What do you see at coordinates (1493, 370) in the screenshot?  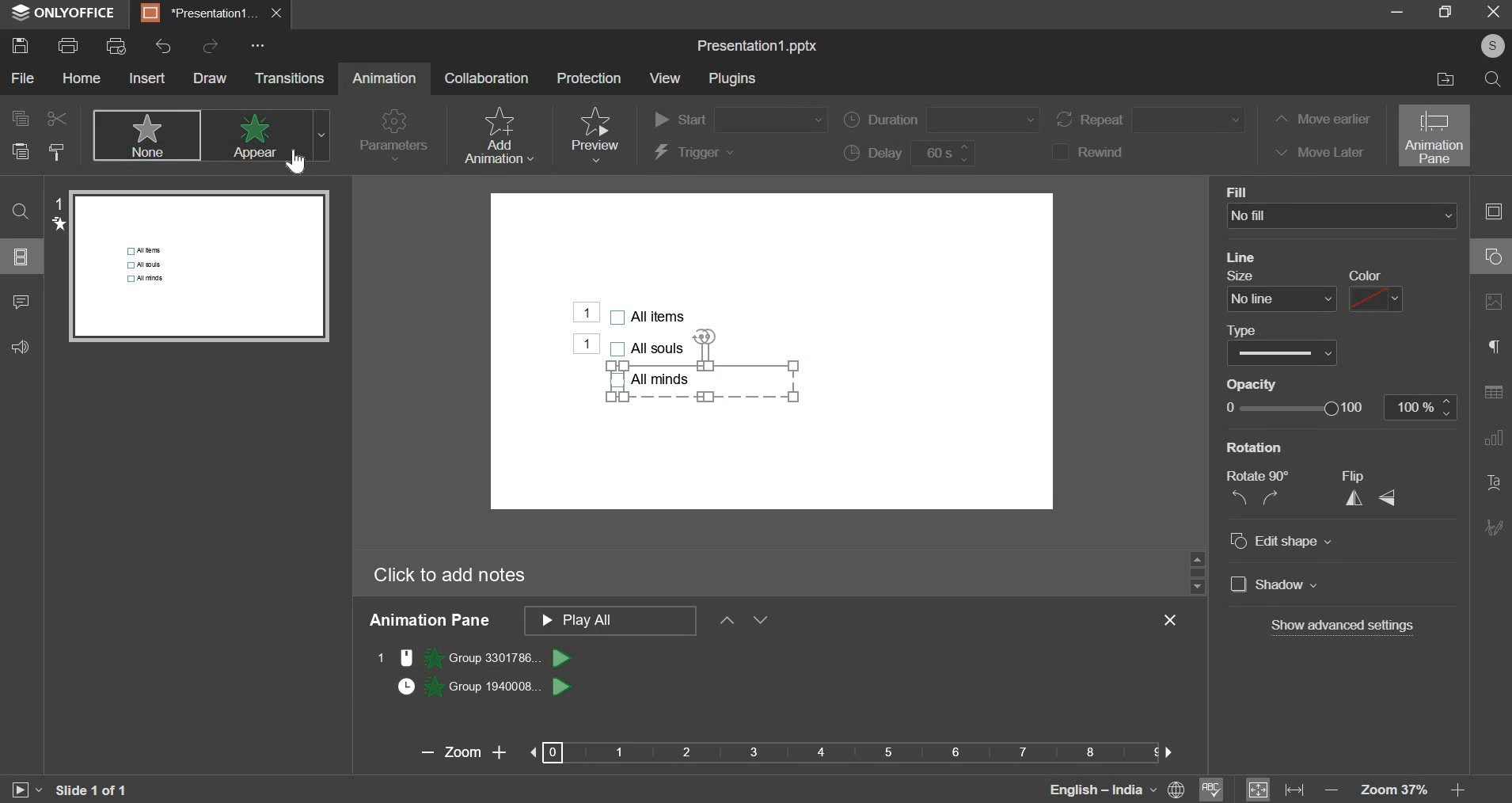 I see `right side bar` at bounding box center [1493, 370].